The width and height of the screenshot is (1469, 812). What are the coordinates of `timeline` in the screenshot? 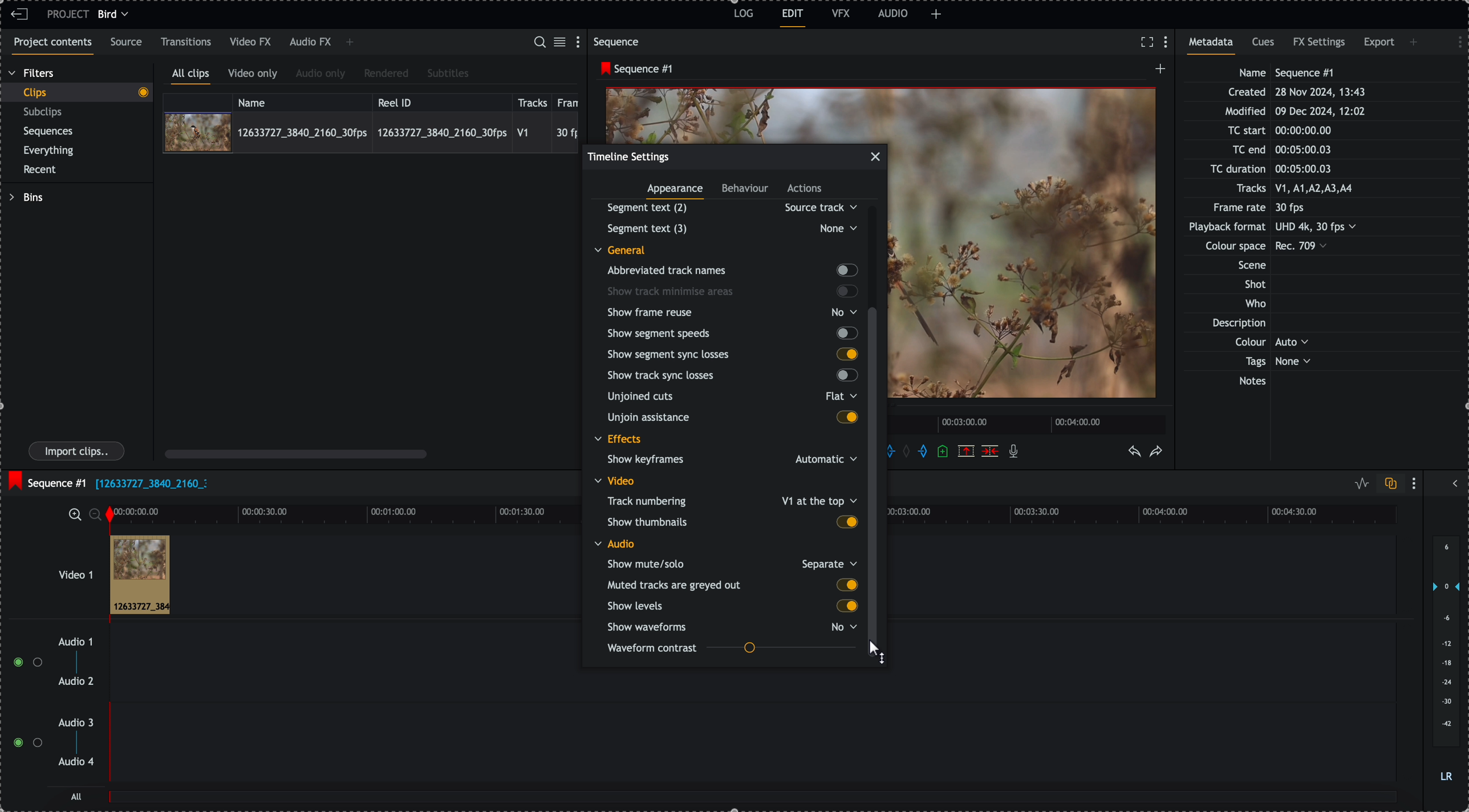 It's located at (1029, 423).